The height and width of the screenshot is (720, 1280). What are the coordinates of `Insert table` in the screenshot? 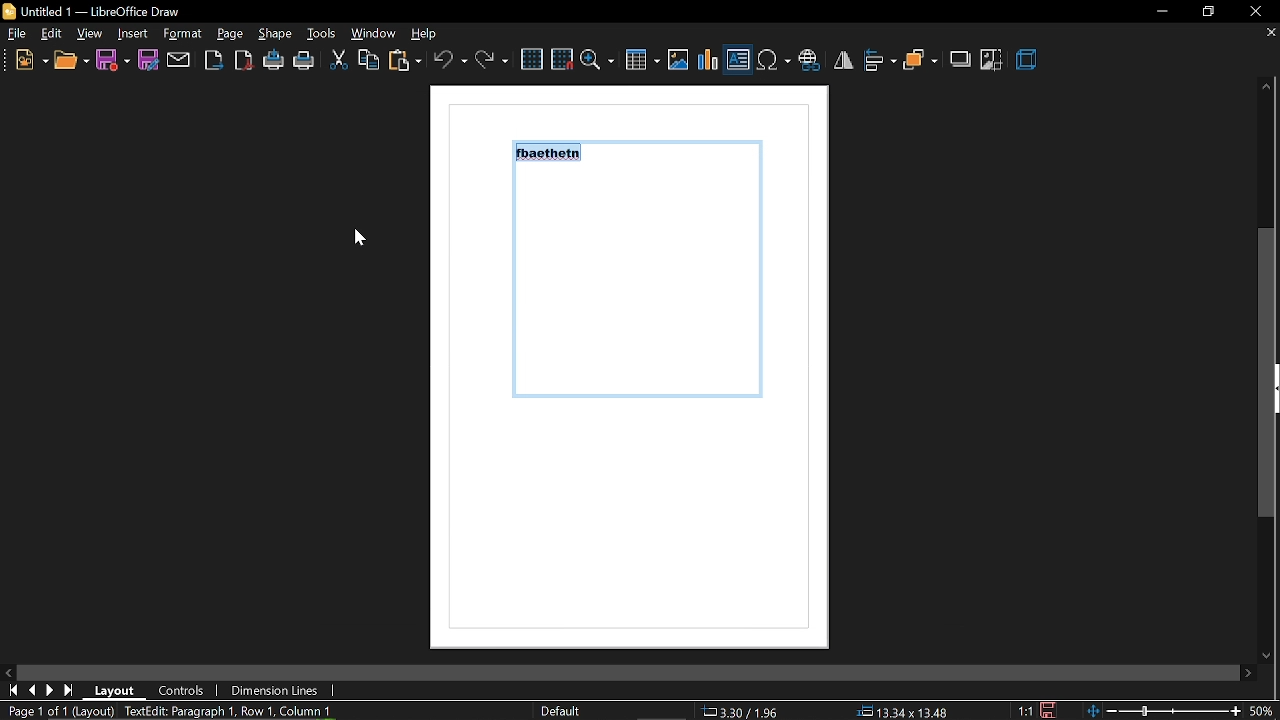 It's located at (642, 61).